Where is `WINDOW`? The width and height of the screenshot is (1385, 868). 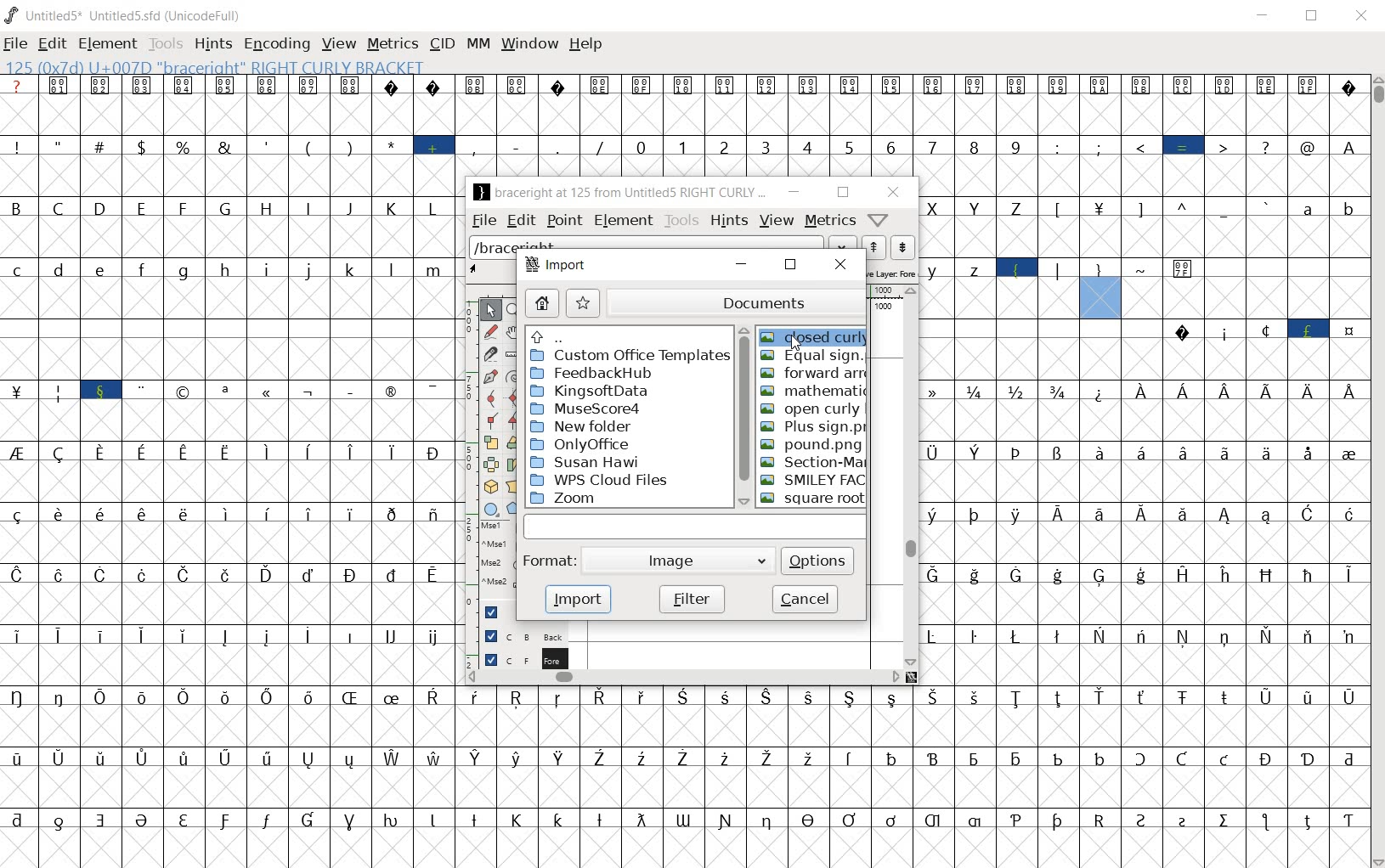 WINDOW is located at coordinates (530, 42).